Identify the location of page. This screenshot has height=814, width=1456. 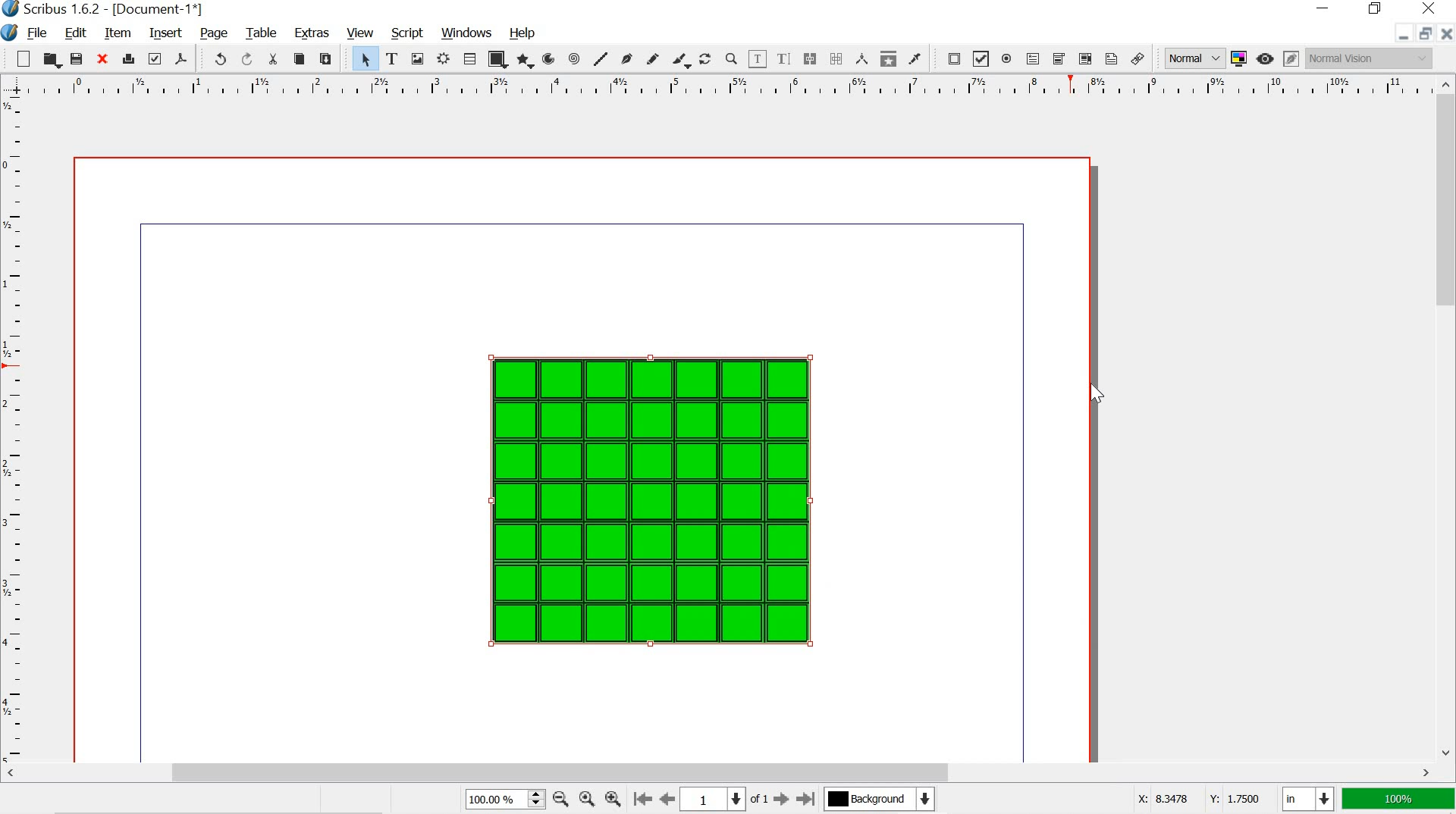
(215, 33).